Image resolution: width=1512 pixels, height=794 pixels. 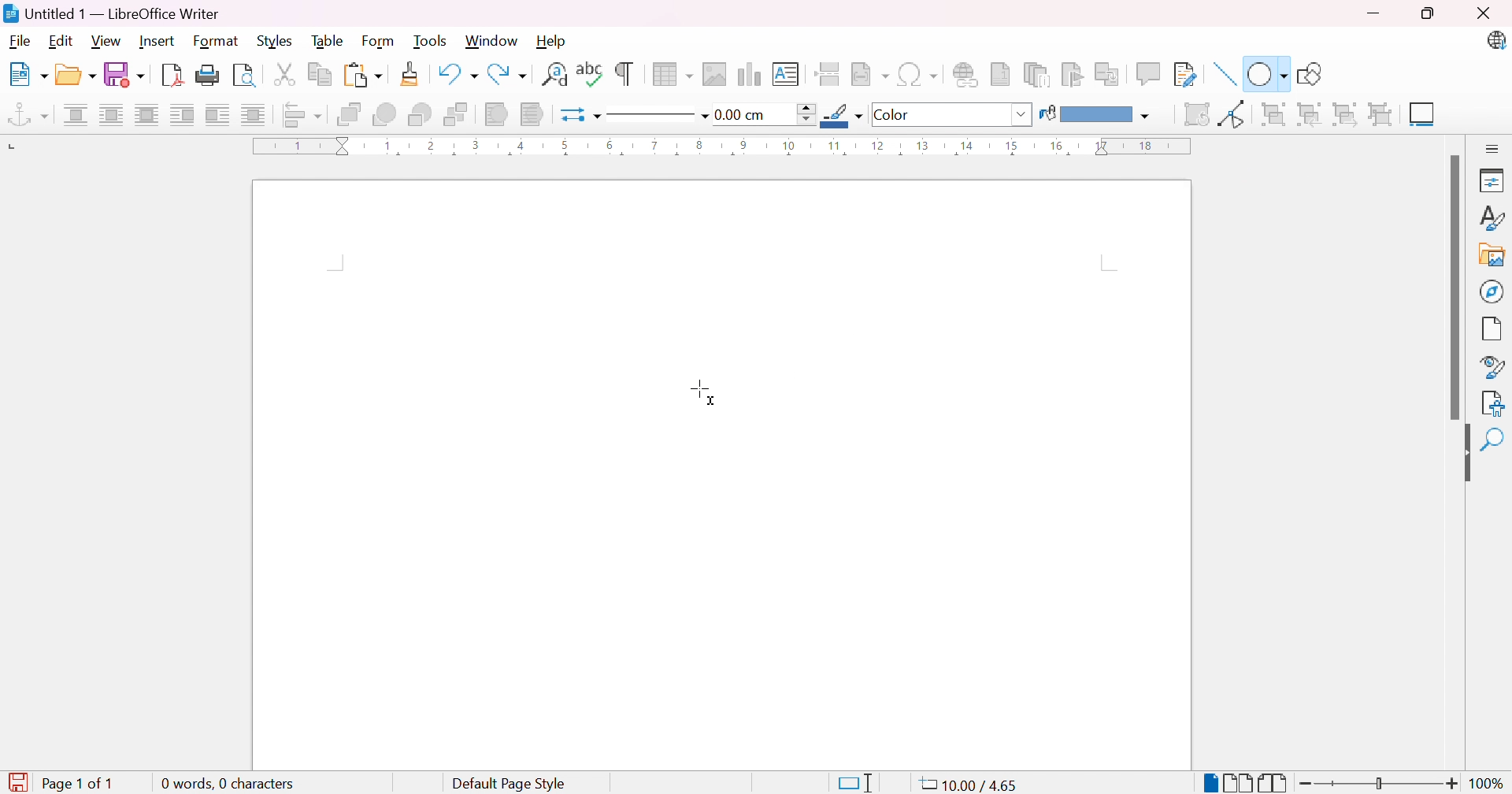 What do you see at coordinates (496, 113) in the screenshot?
I see `To foreground` at bounding box center [496, 113].